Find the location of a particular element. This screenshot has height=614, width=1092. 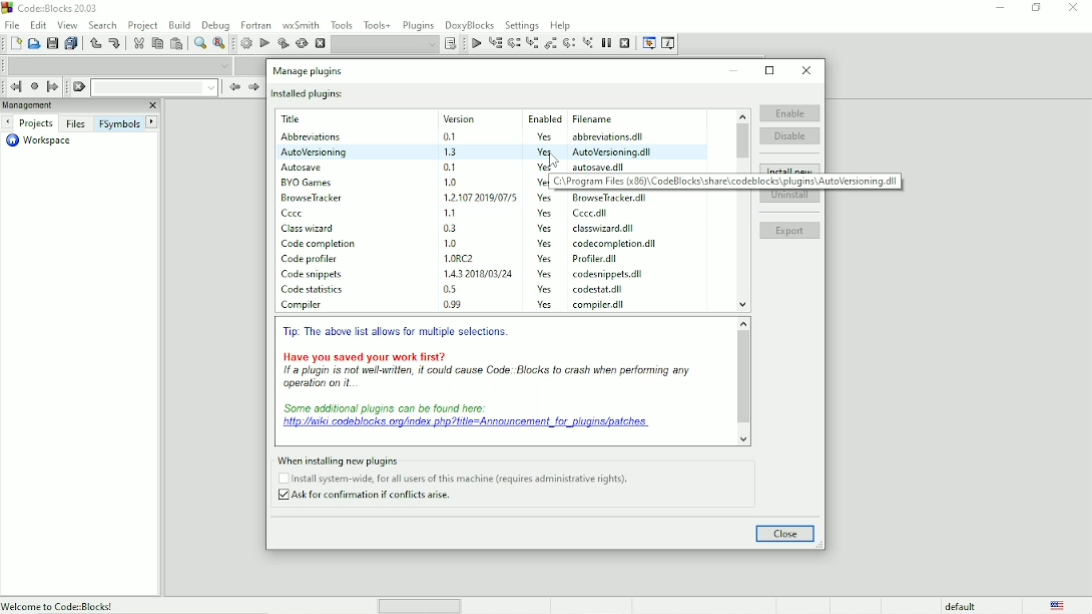

Yes is located at coordinates (544, 135).